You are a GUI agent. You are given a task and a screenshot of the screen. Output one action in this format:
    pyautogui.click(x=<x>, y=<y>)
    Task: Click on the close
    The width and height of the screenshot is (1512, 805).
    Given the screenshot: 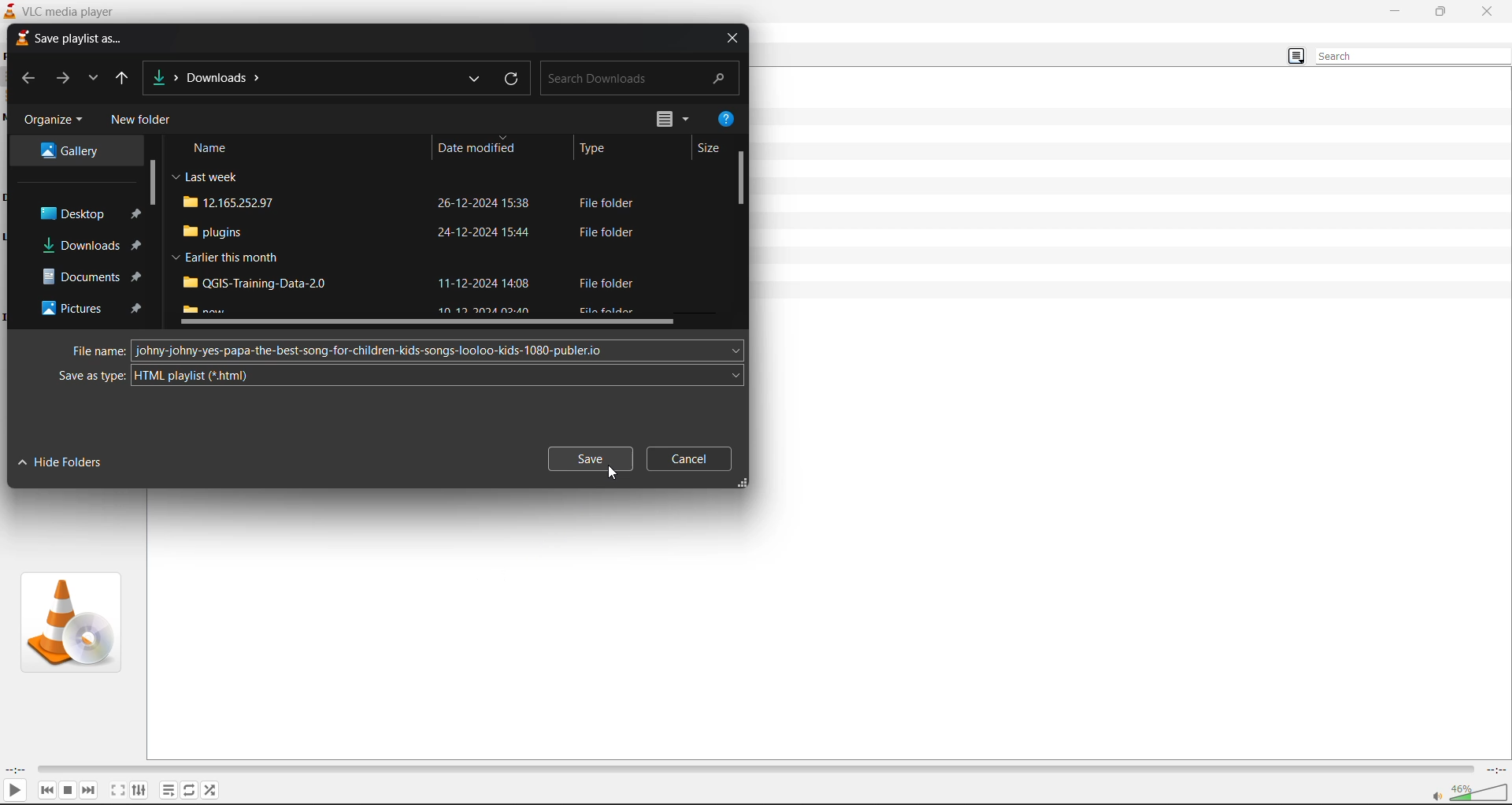 What is the action you would take?
    pyautogui.click(x=730, y=39)
    